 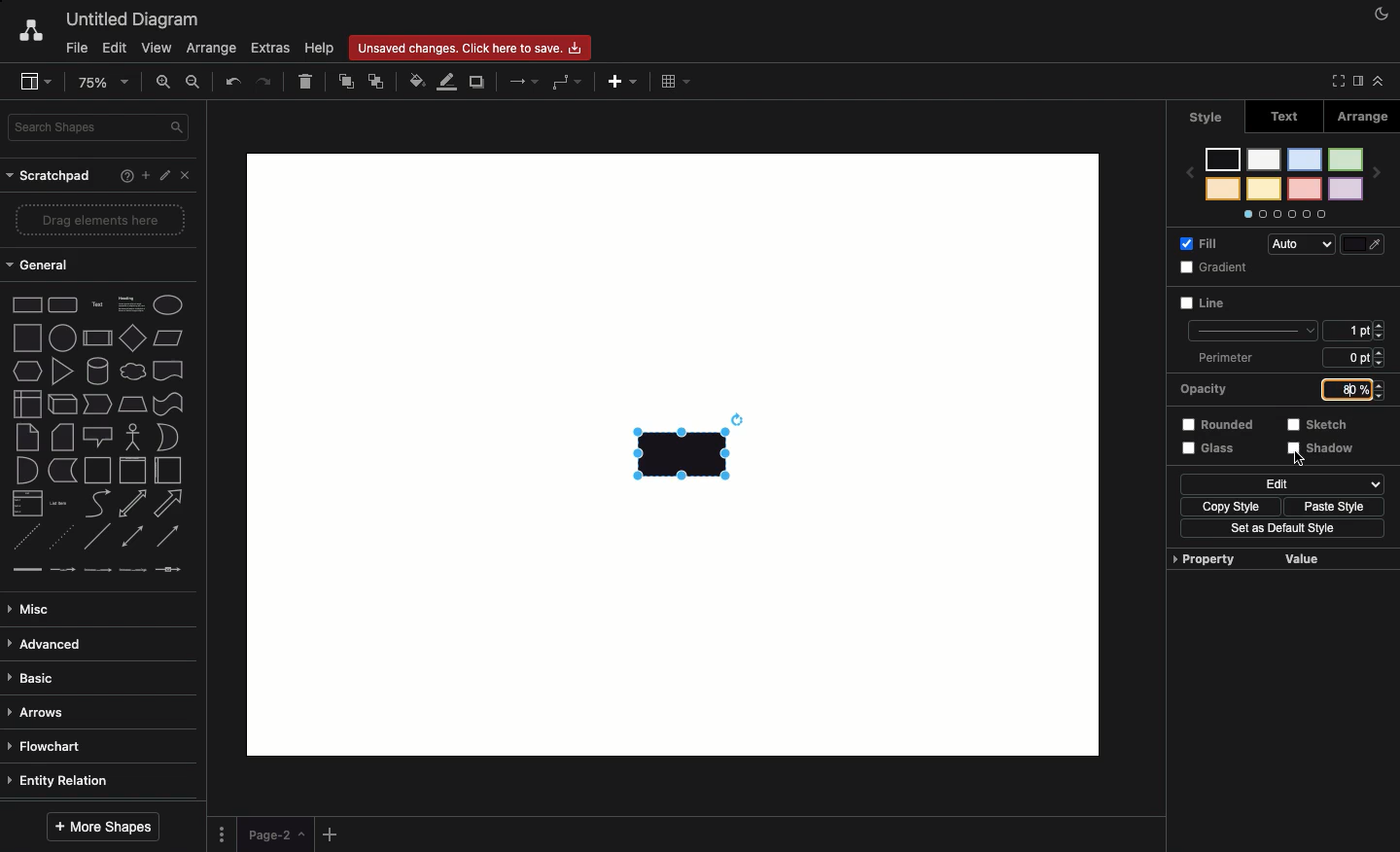 I want to click on and, so click(x=26, y=470).